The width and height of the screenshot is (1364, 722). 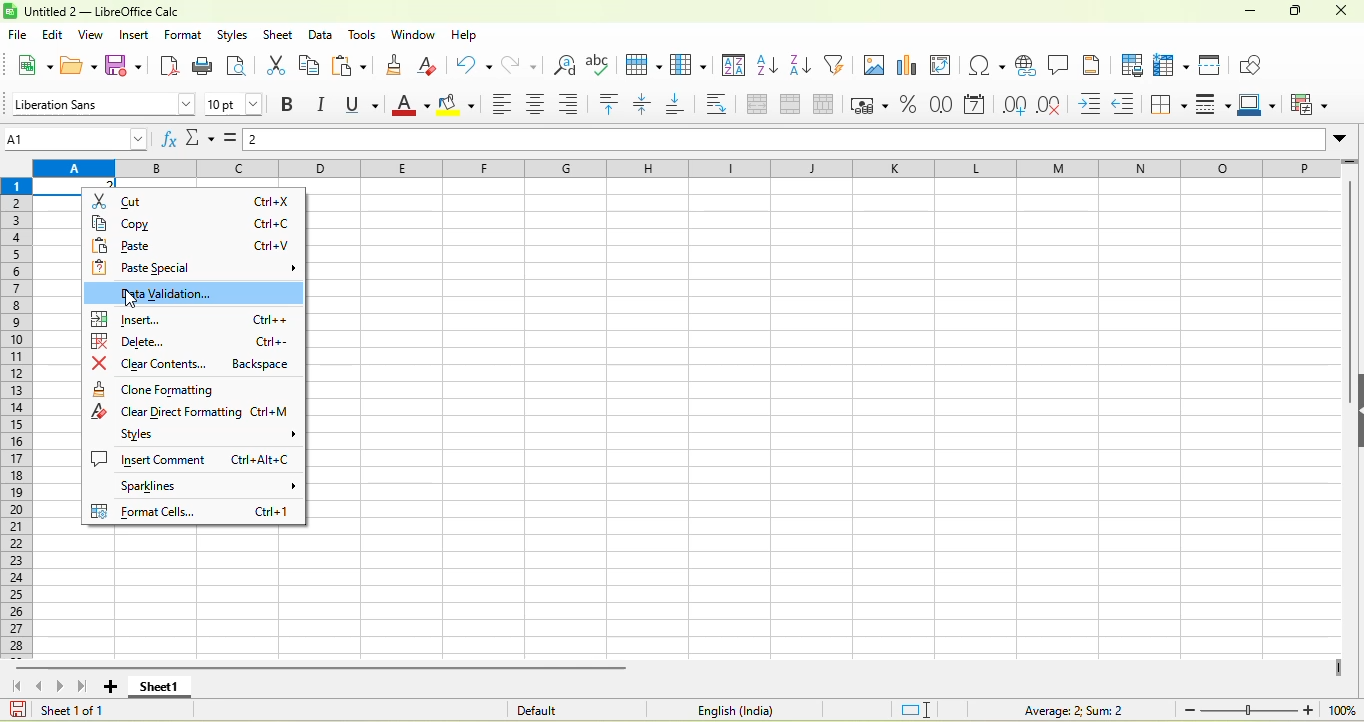 What do you see at coordinates (17, 34) in the screenshot?
I see `file` at bounding box center [17, 34].